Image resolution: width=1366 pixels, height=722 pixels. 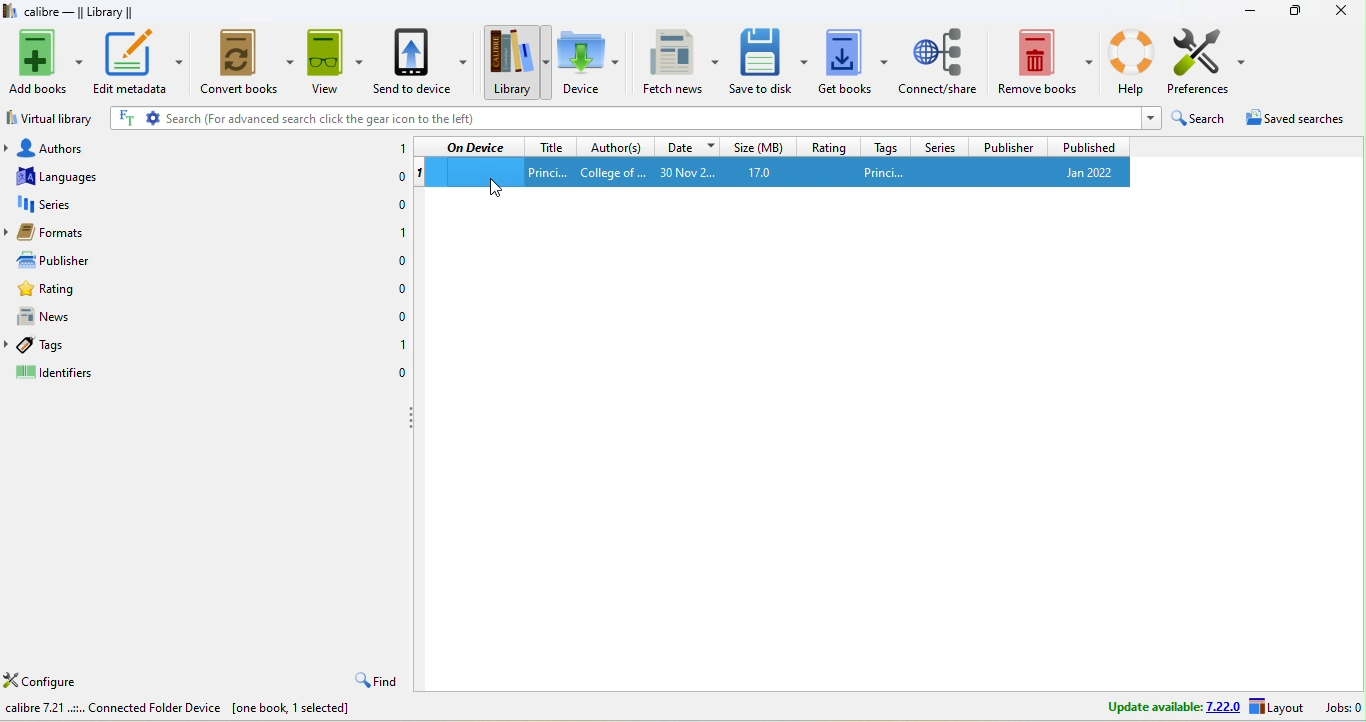 I want to click on 0, so click(x=402, y=290).